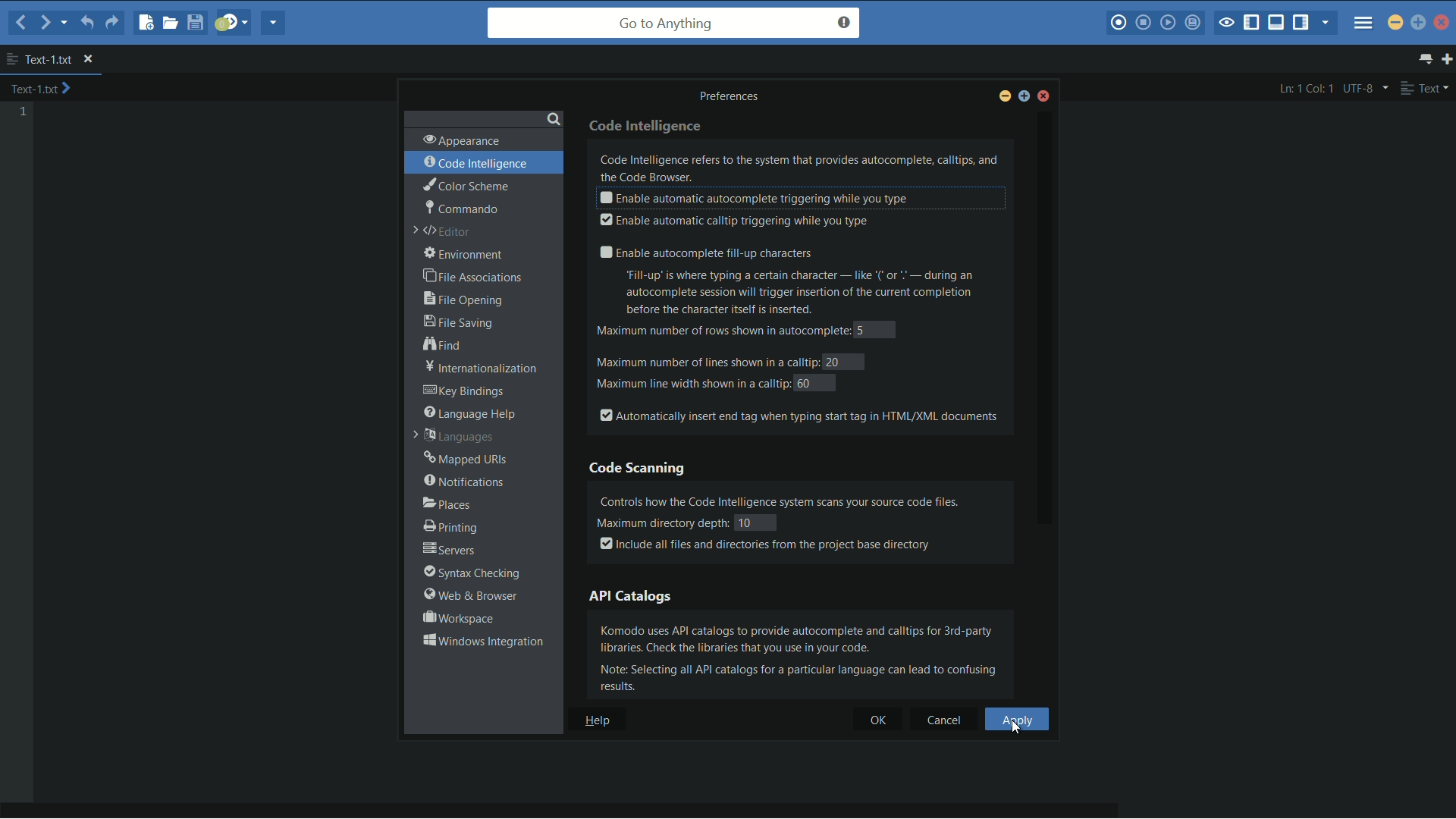 This screenshot has width=1456, height=819. Describe the element at coordinates (1015, 726) in the screenshot. I see `cursor` at that location.